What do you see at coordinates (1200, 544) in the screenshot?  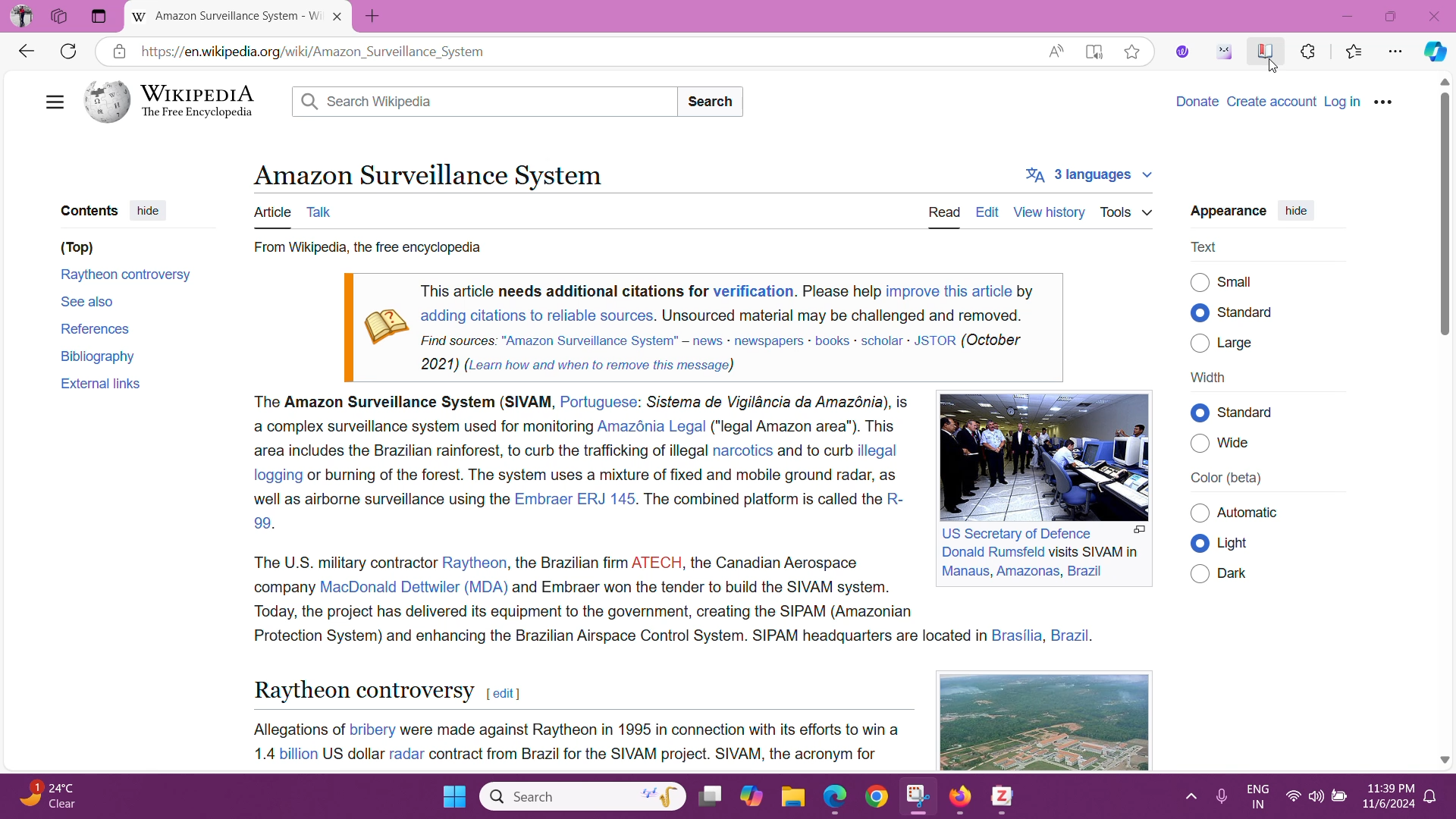 I see `Selected` at bounding box center [1200, 544].